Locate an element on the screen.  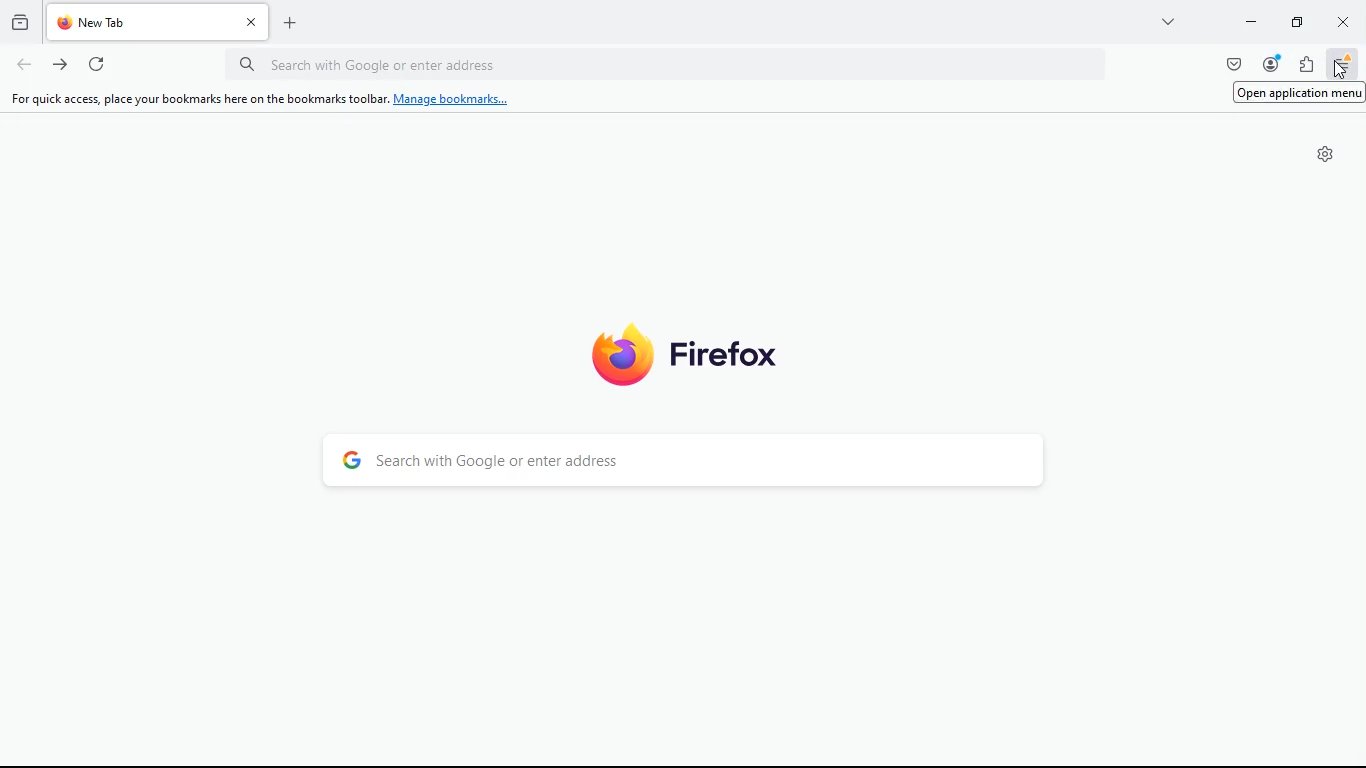
history is located at coordinates (18, 21).